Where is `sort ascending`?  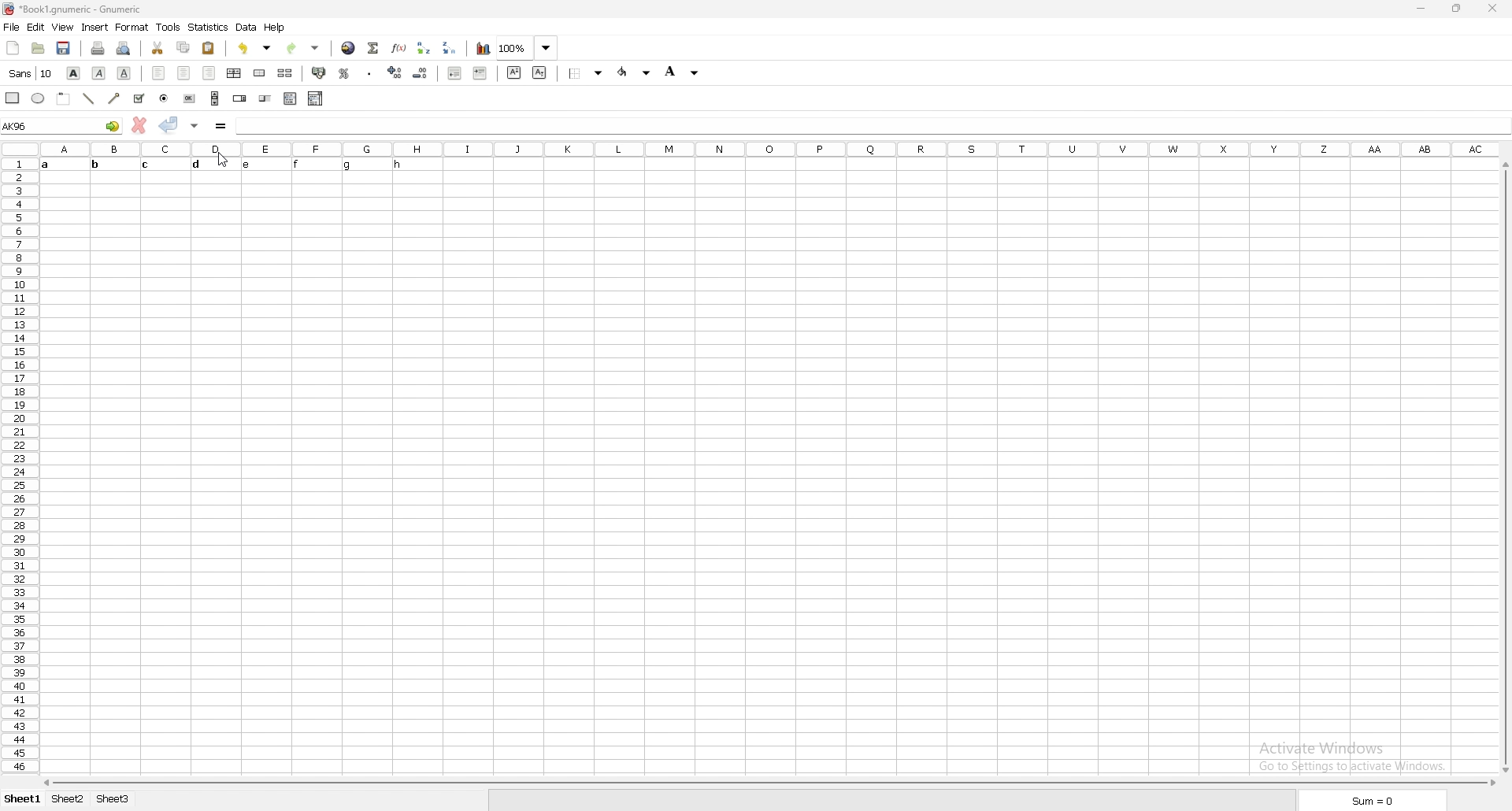
sort ascending is located at coordinates (424, 47).